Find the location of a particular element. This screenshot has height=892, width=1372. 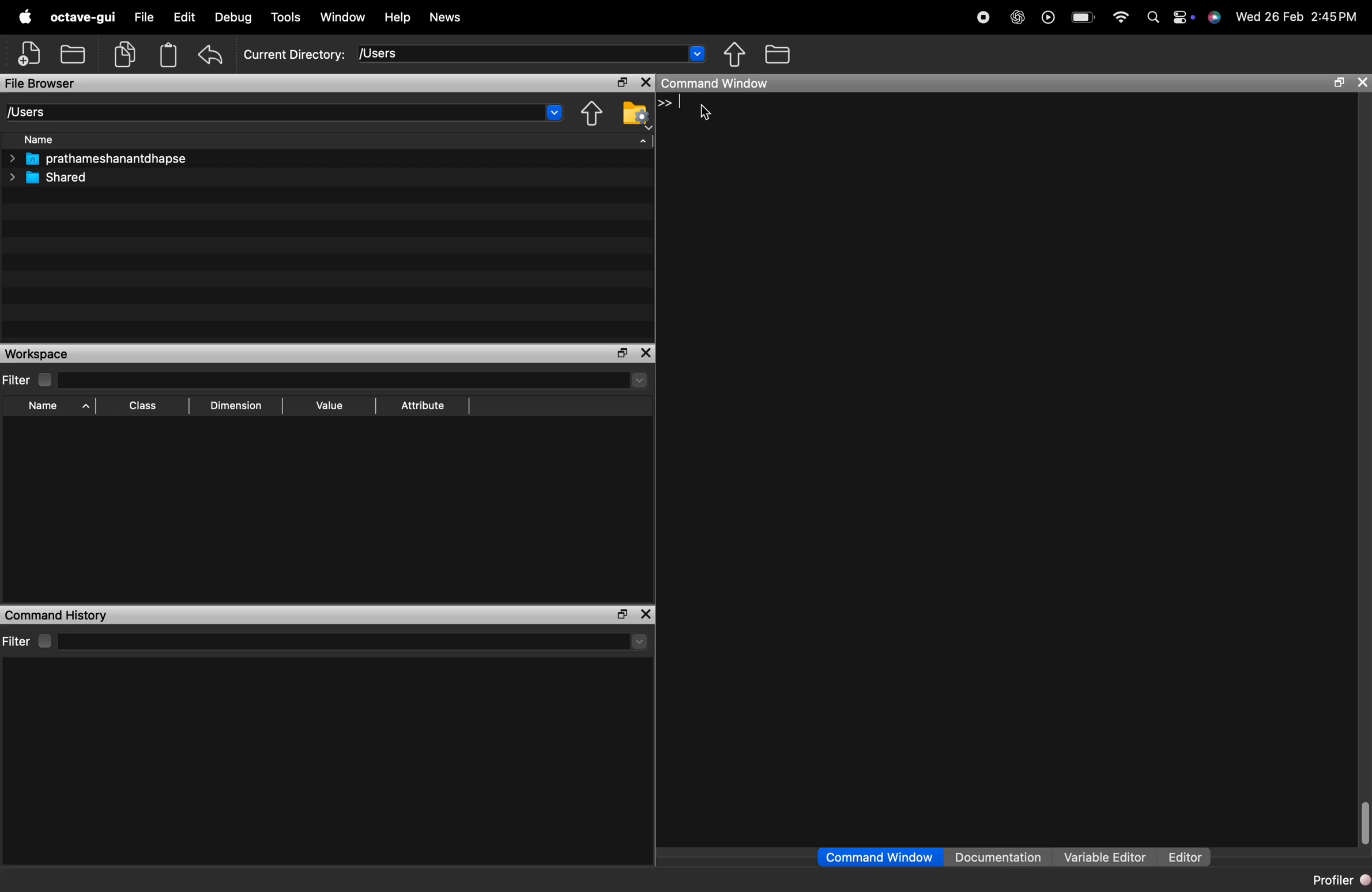

redo is located at coordinates (214, 54).